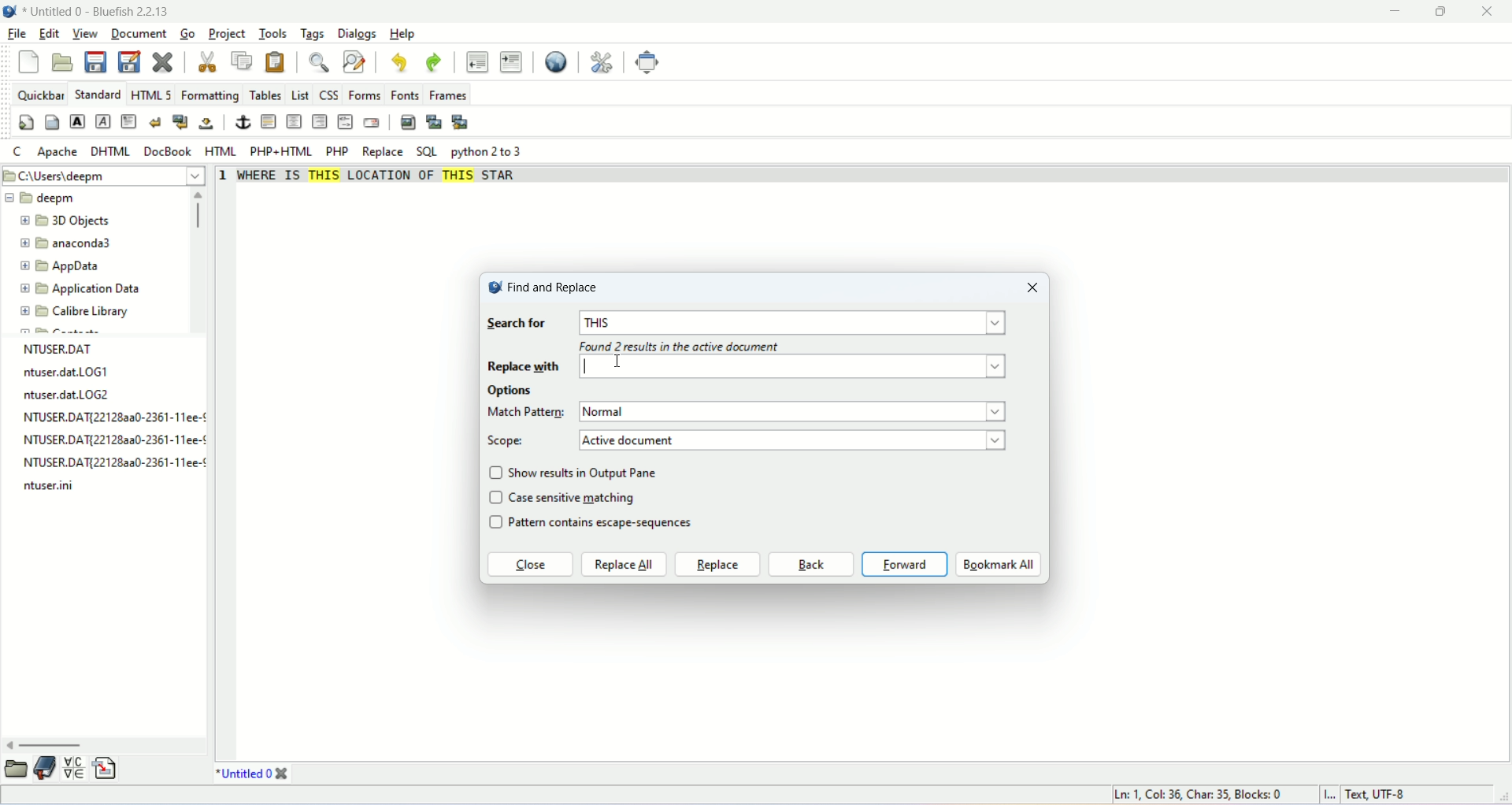 The height and width of the screenshot is (805, 1512). What do you see at coordinates (270, 35) in the screenshot?
I see `tools` at bounding box center [270, 35].